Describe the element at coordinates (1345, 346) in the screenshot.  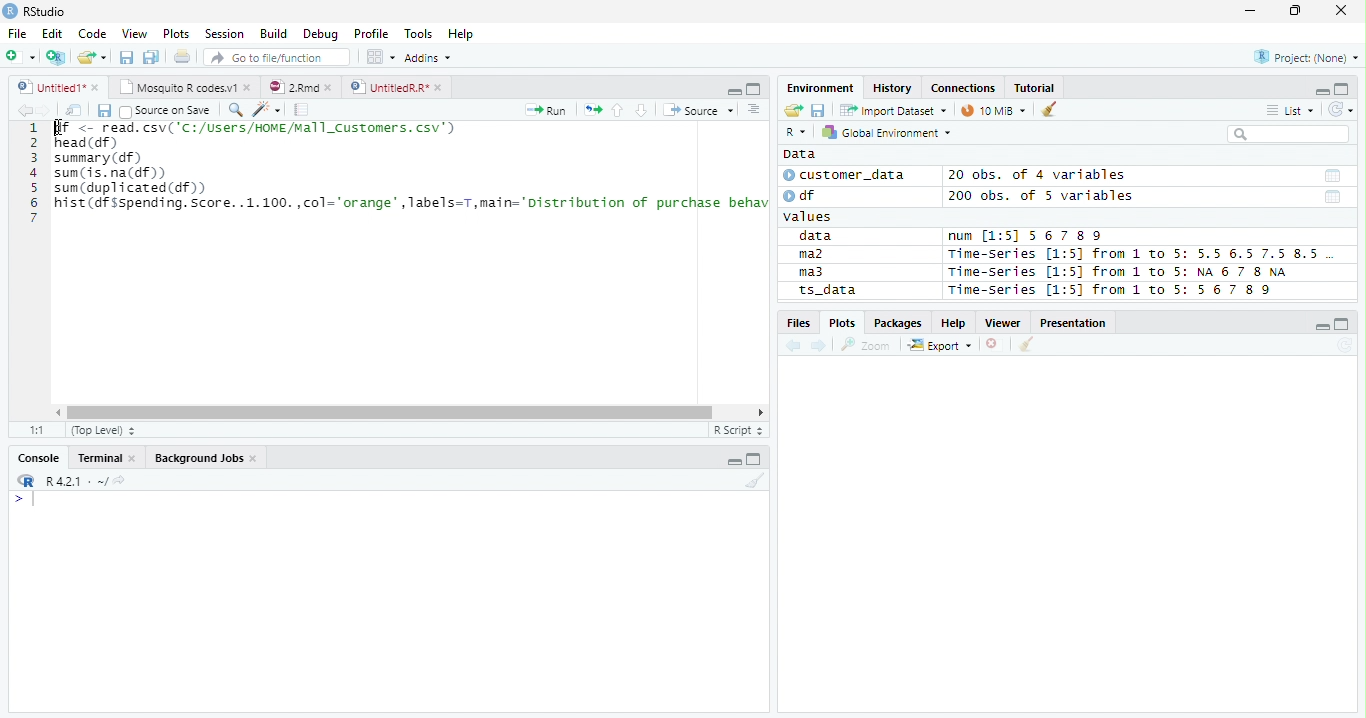
I see `Refresh` at that location.